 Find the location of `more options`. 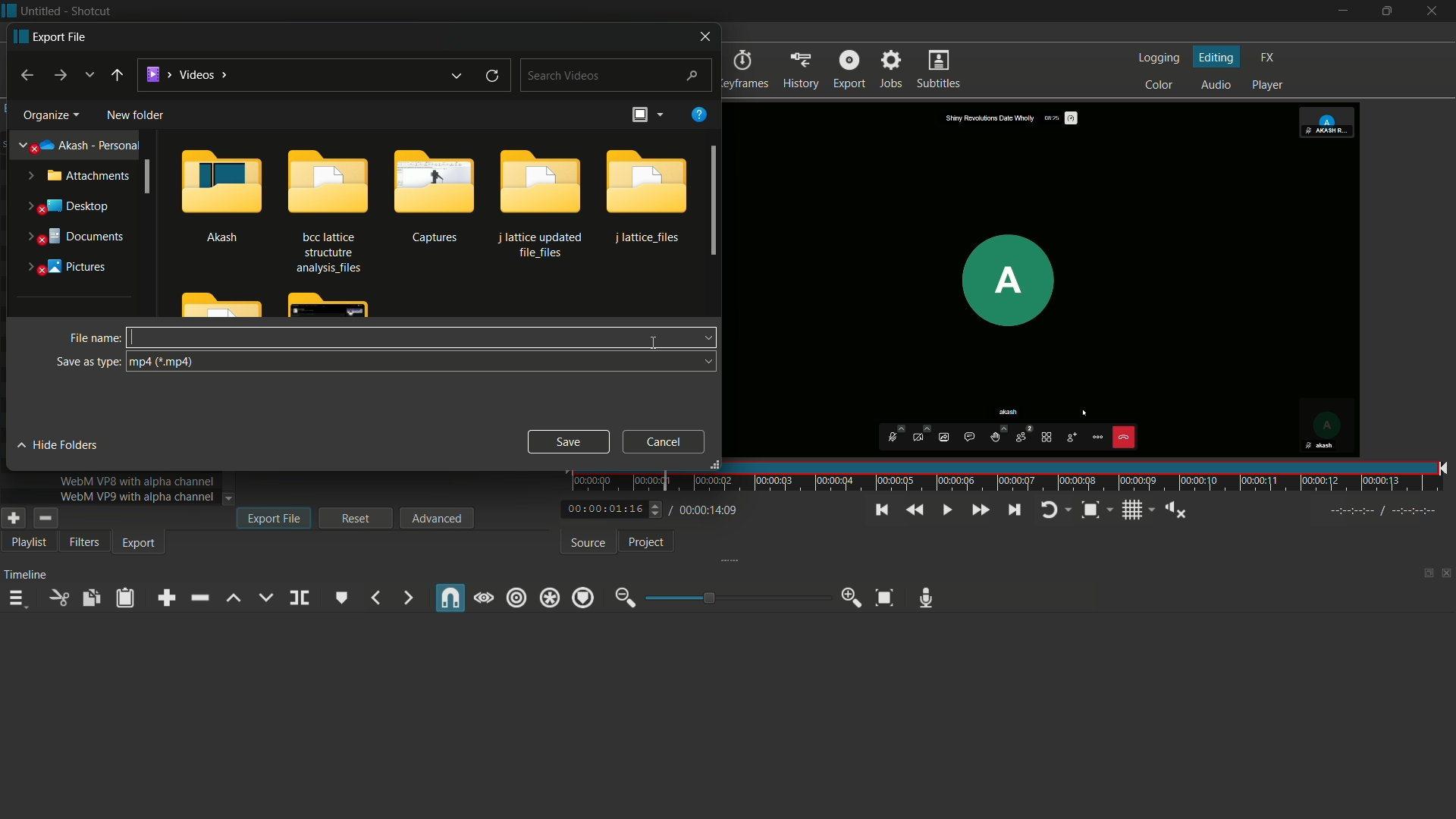

more options is located at coordinates (661, 114).